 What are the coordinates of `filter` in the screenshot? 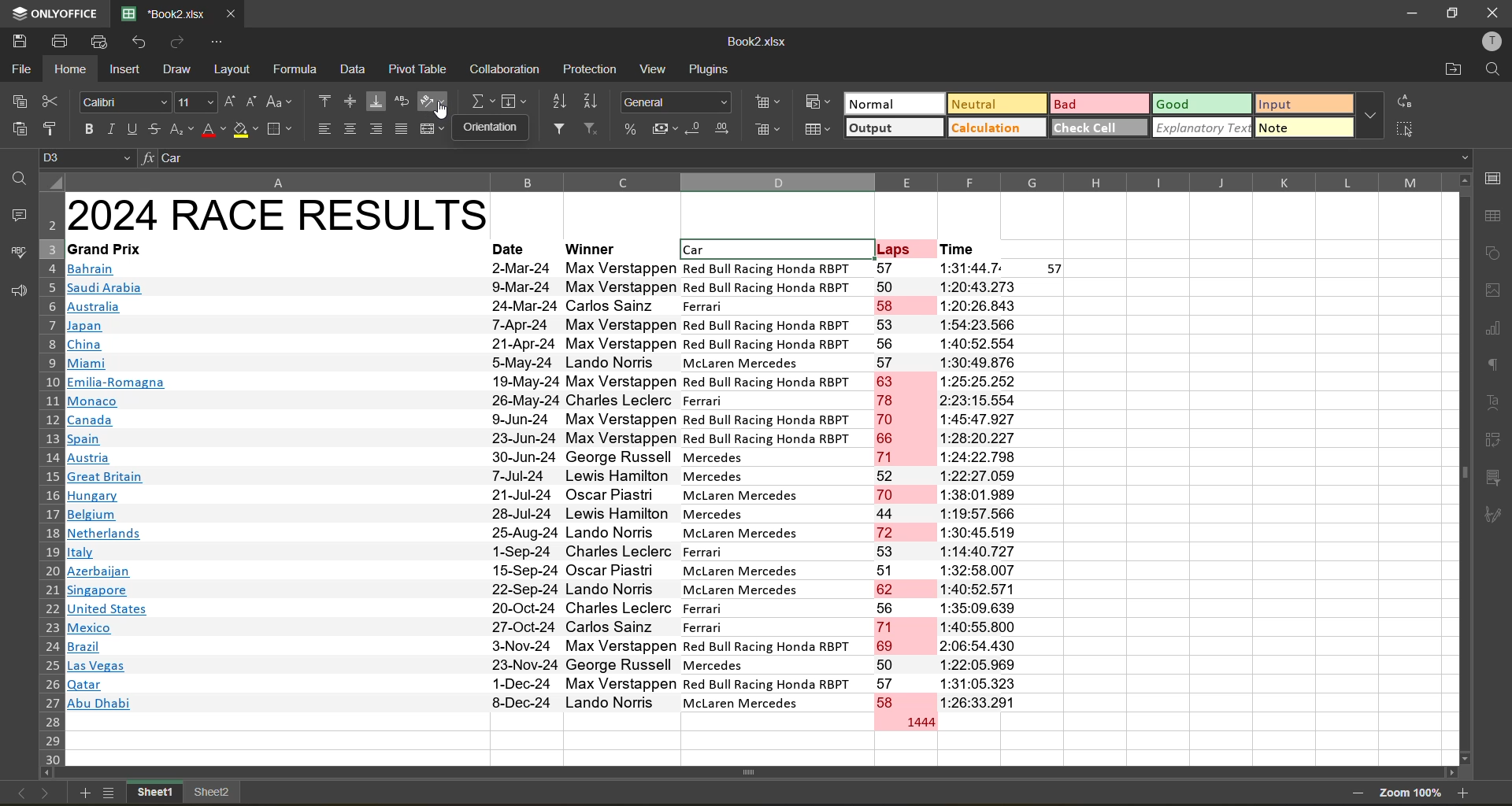 It's located at (561, 130).